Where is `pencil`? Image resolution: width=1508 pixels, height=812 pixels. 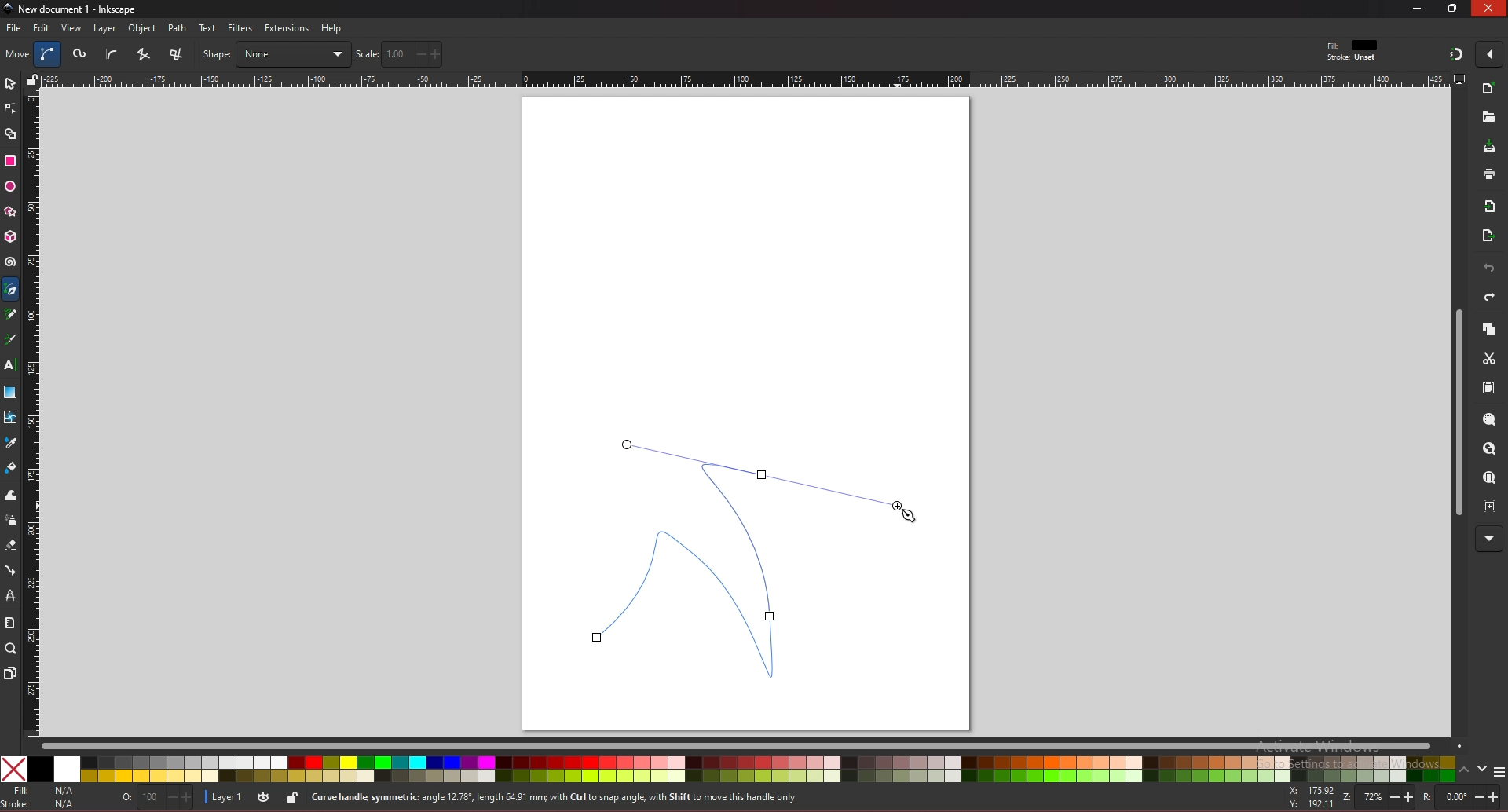
pencil is located at coordinates (15, 315).